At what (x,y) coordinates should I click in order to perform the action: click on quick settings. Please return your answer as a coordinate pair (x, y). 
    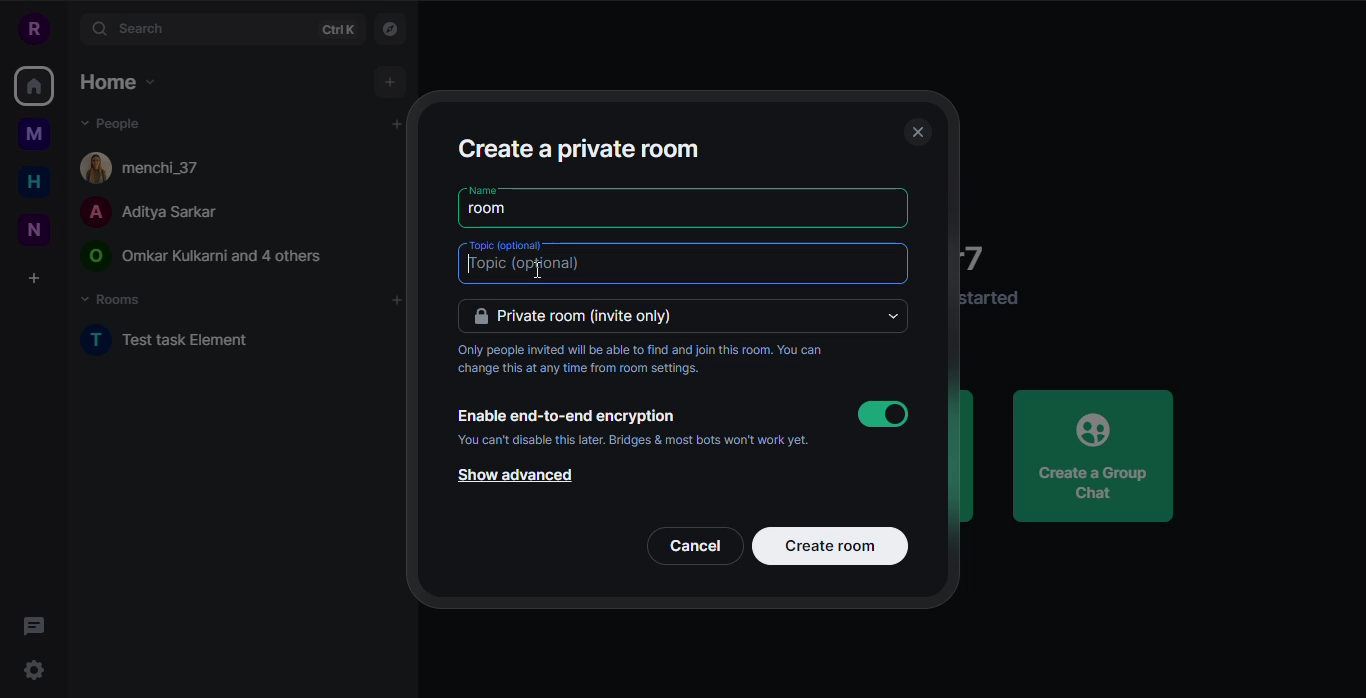
    Looking at the image, I should click on (35, 673).